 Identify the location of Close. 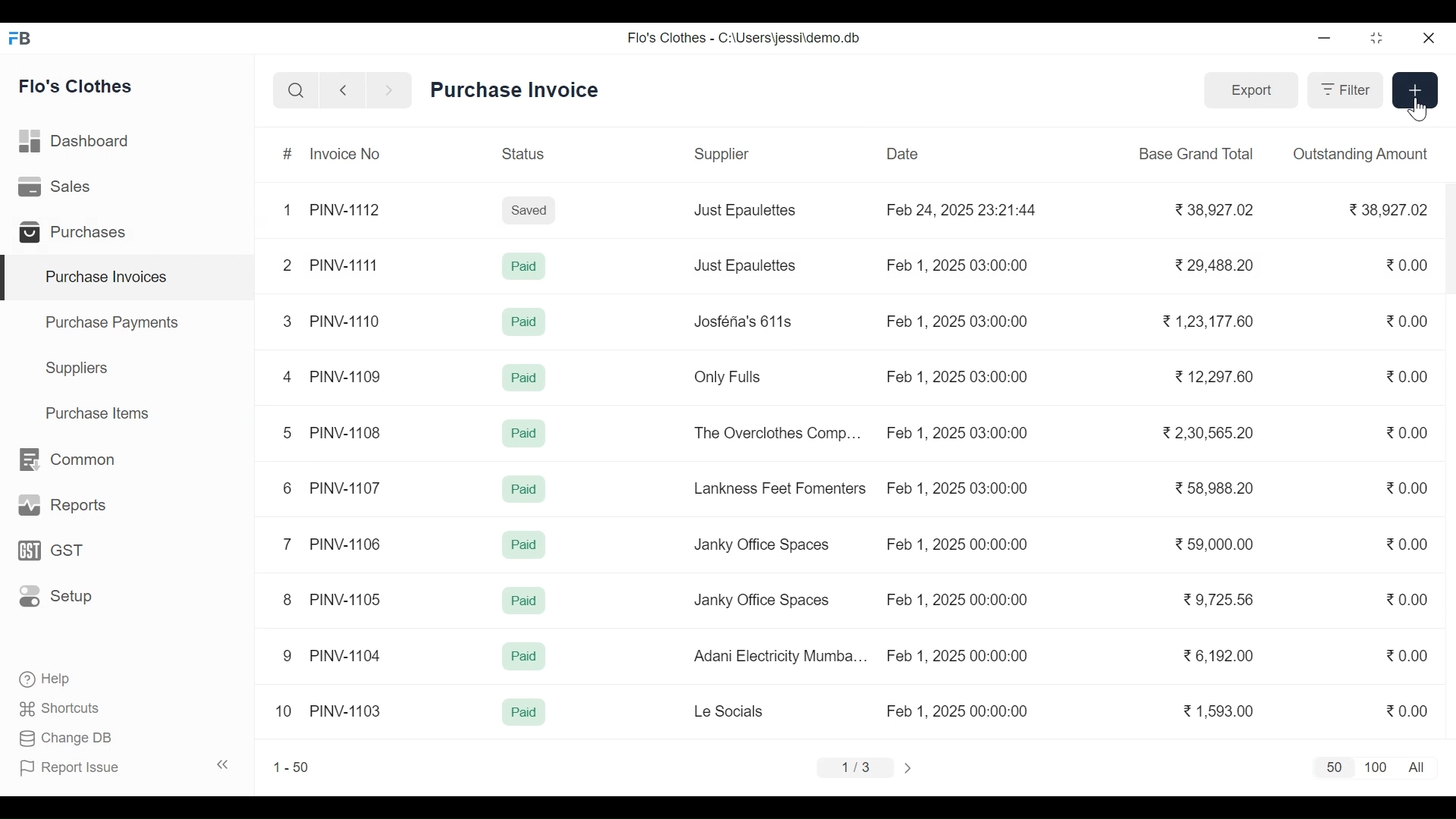
(1429, 38).